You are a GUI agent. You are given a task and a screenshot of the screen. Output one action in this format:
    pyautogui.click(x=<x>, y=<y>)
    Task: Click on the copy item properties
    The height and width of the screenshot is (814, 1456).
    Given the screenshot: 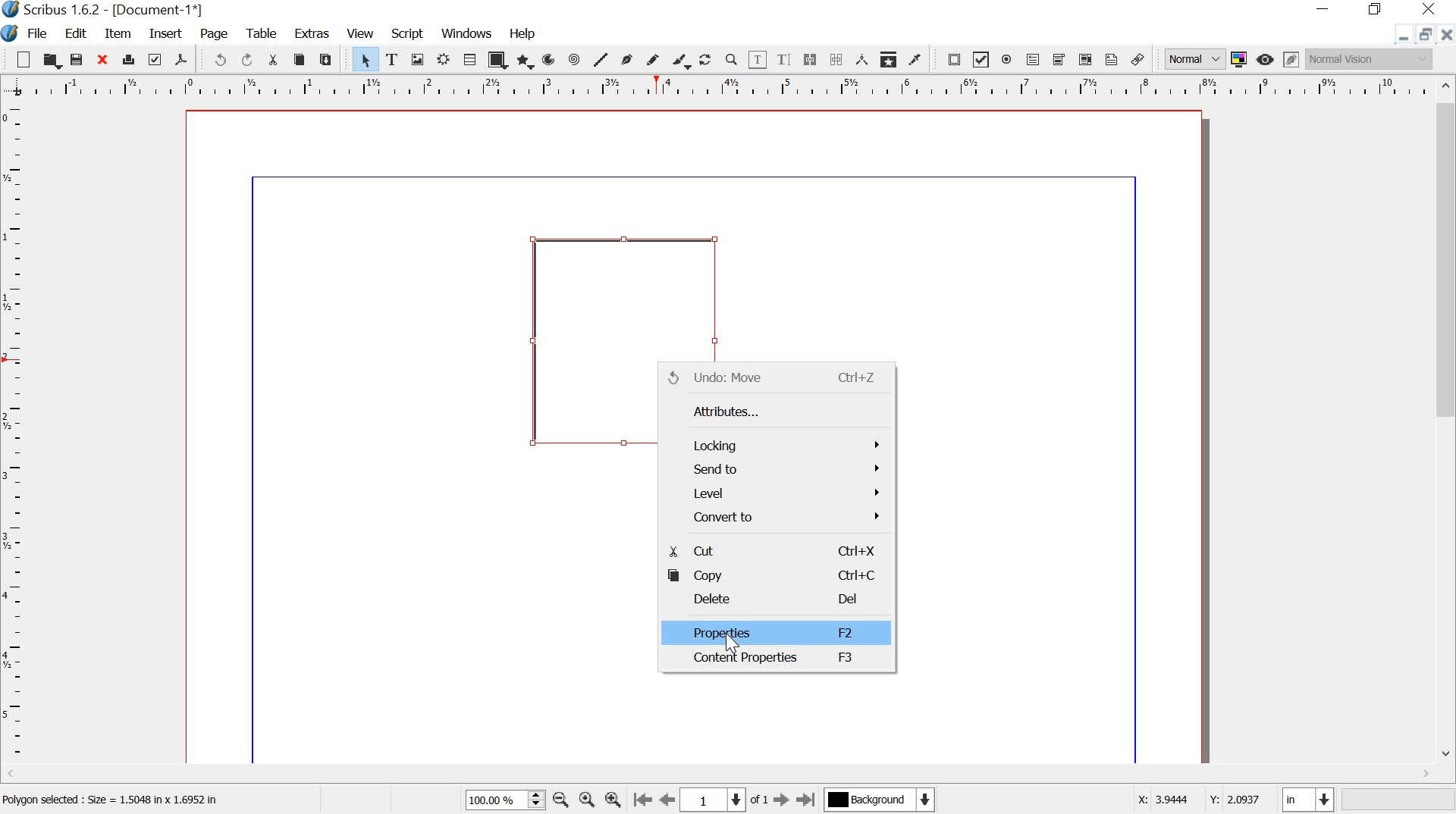 What is the action you would take?
    pyautogui.click(x=890, y=60)
    